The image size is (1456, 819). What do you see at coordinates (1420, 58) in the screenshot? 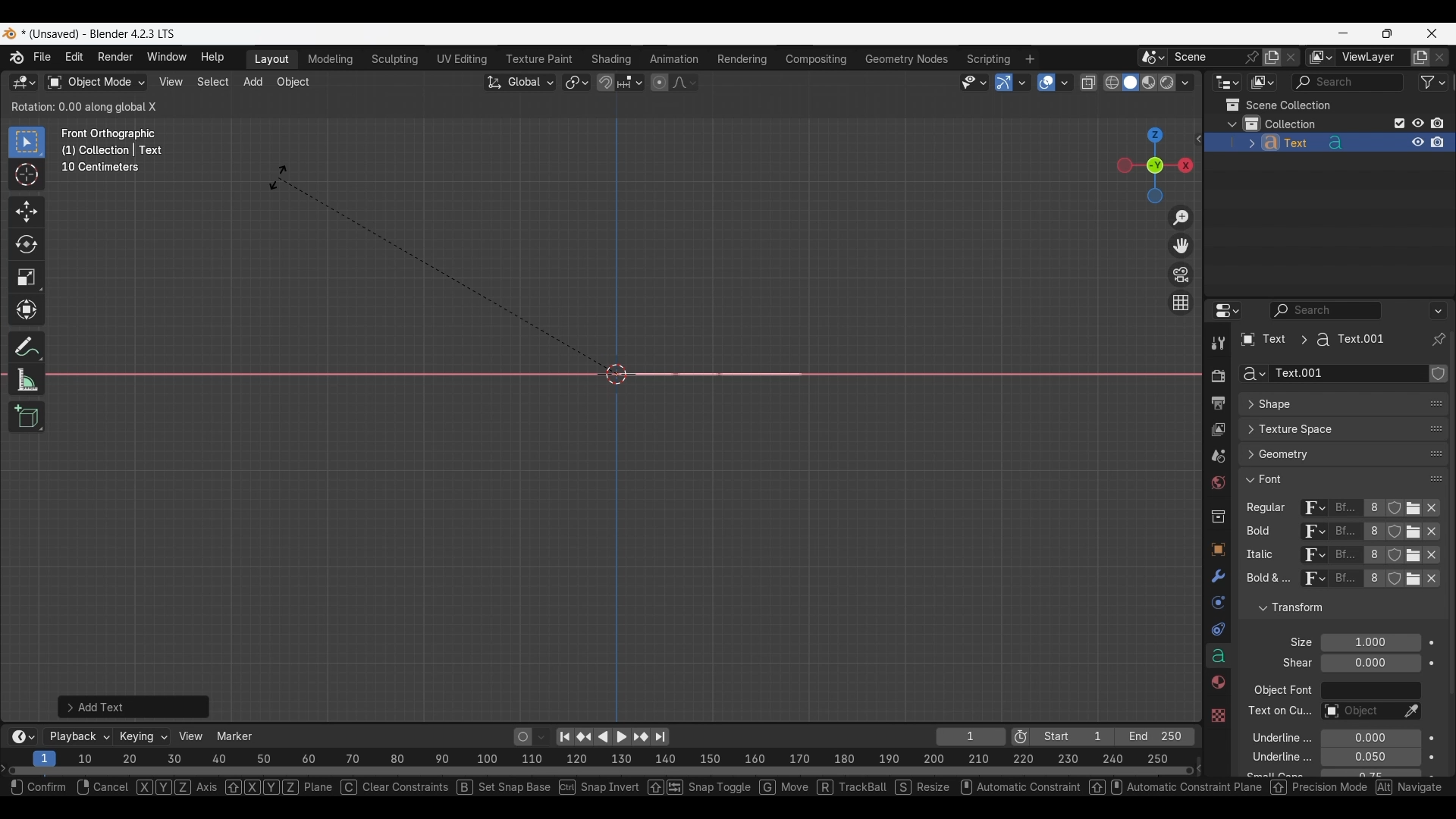
I see `Add view layer` at bounding box center [1420, 58].